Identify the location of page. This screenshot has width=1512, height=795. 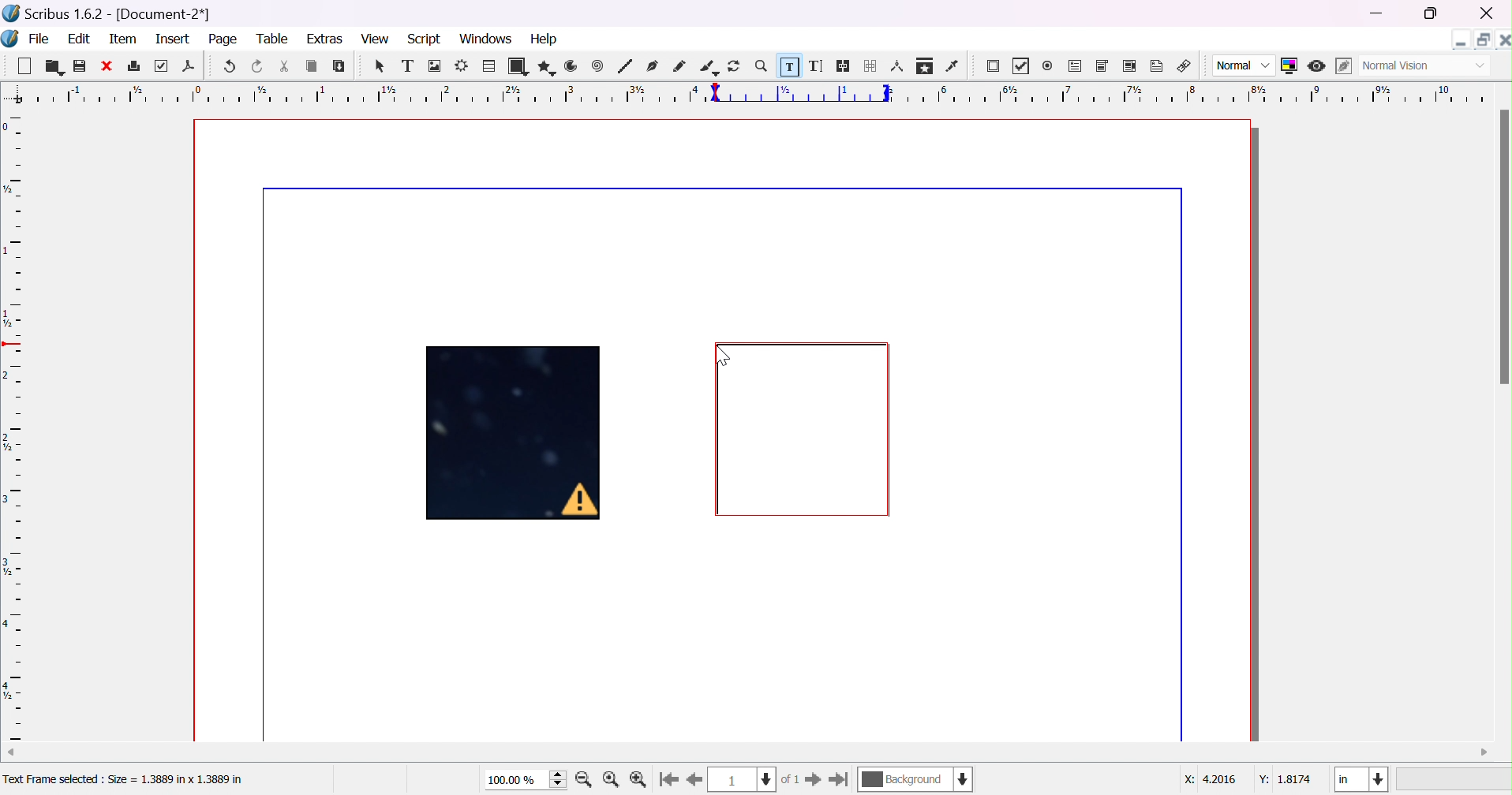
(226, 40).